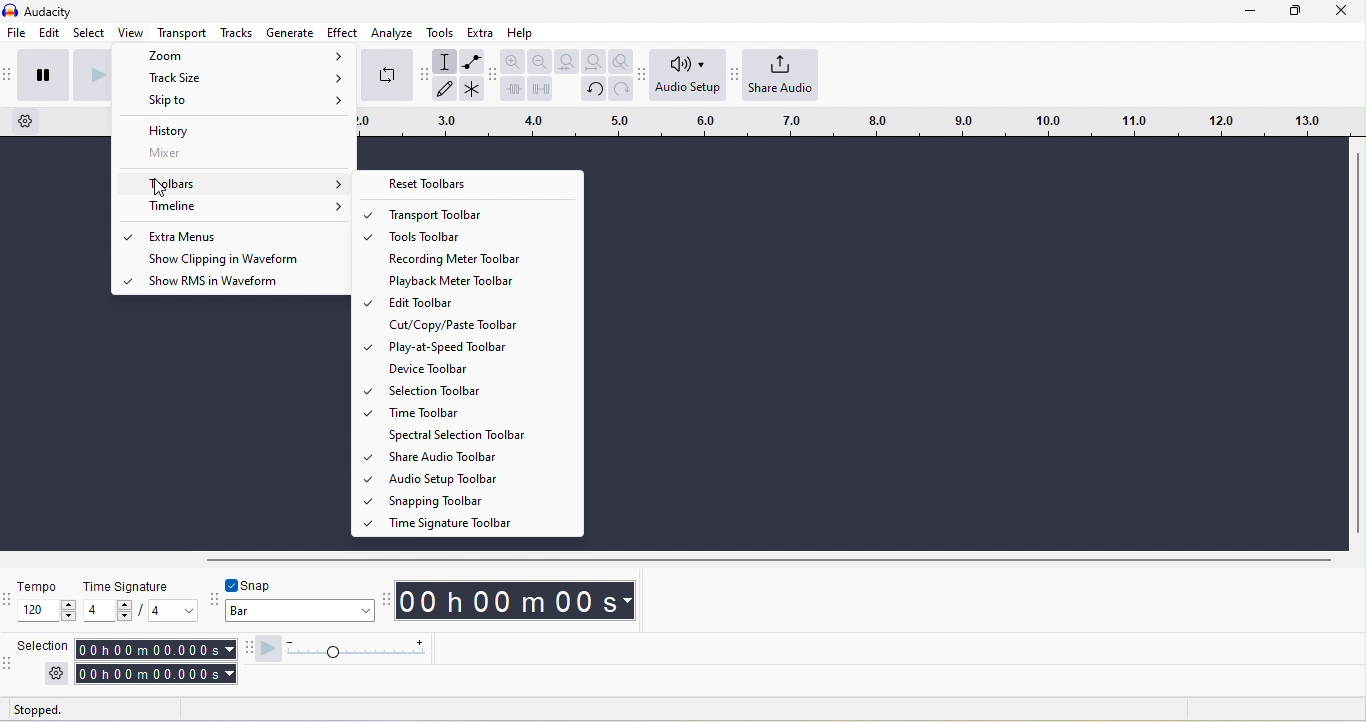 This screenshot has height=722, width=1366. What do you see at coordinates (48, 12) in the screenshot?
I see `audacity` at bounding box center [48, 12].